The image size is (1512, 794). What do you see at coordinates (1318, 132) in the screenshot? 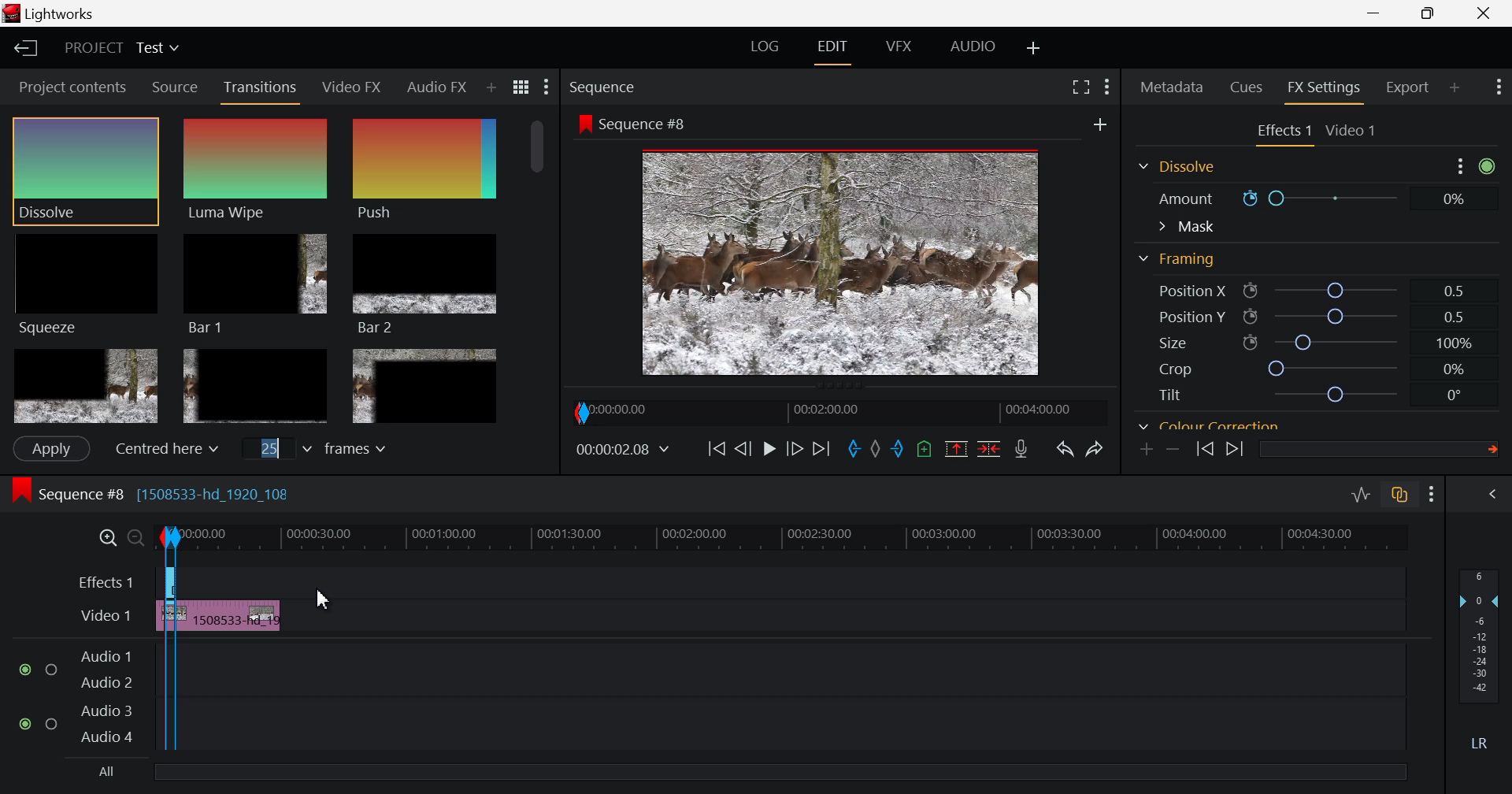
I see `Video 1 settings open` at bounding box center [1318, 132].